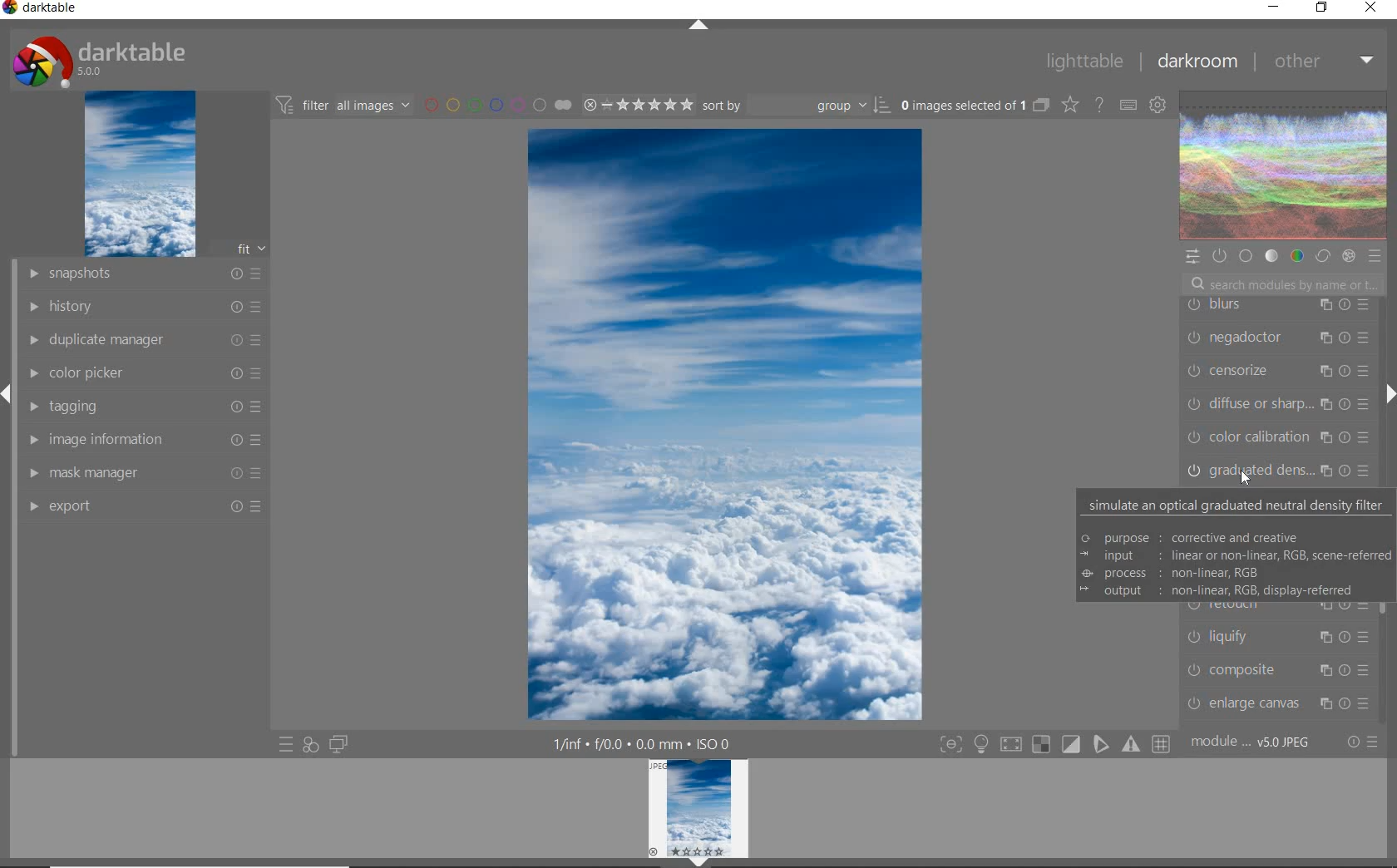 Image resolution: width=1397 pixels, height=868 pixels. I want to click on EFFECT, so click(1349, 256).